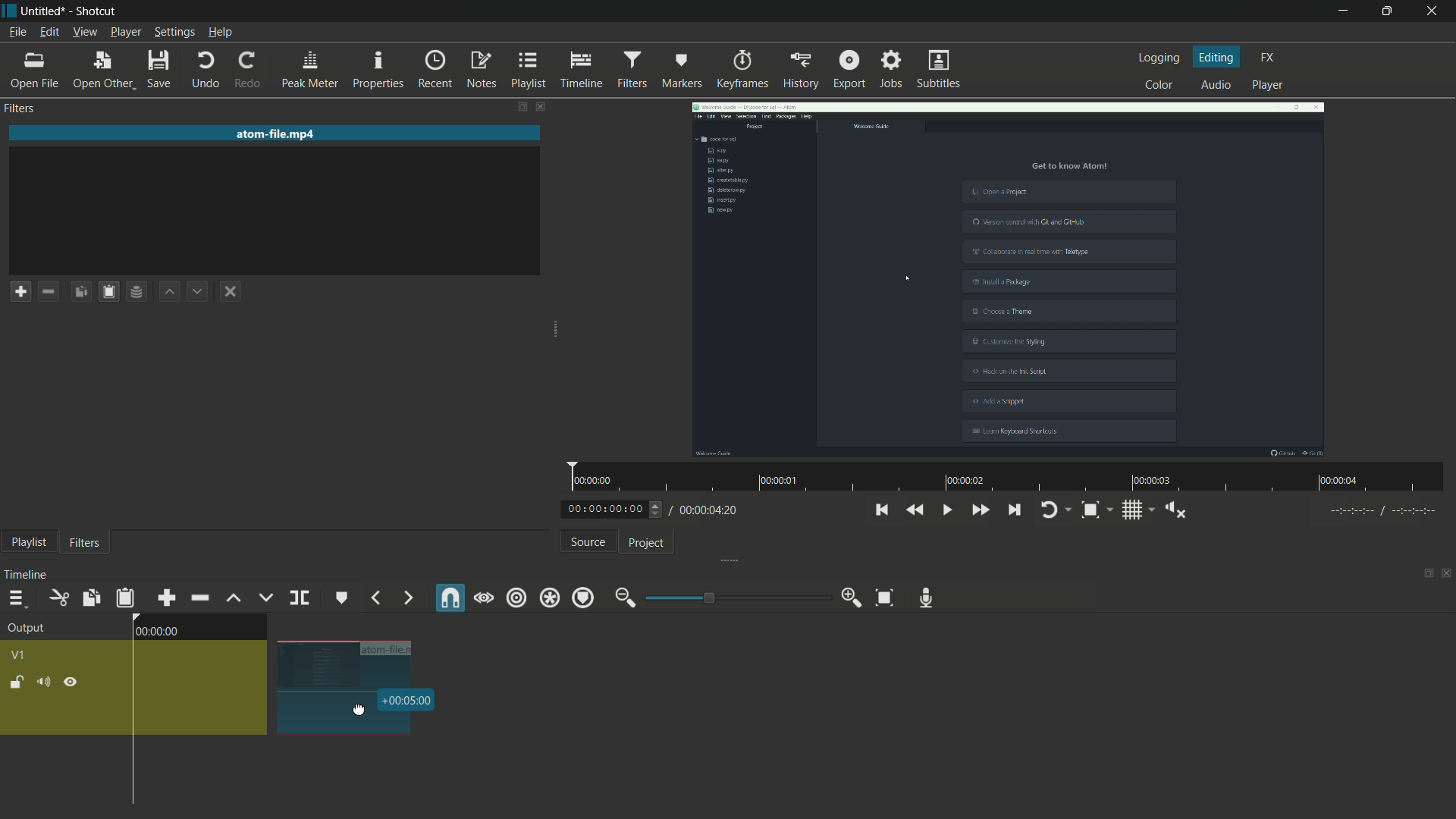  What do you see at coordinates (648, 542) in the screenshot?
I see `project` at bounding box center [648, 542].